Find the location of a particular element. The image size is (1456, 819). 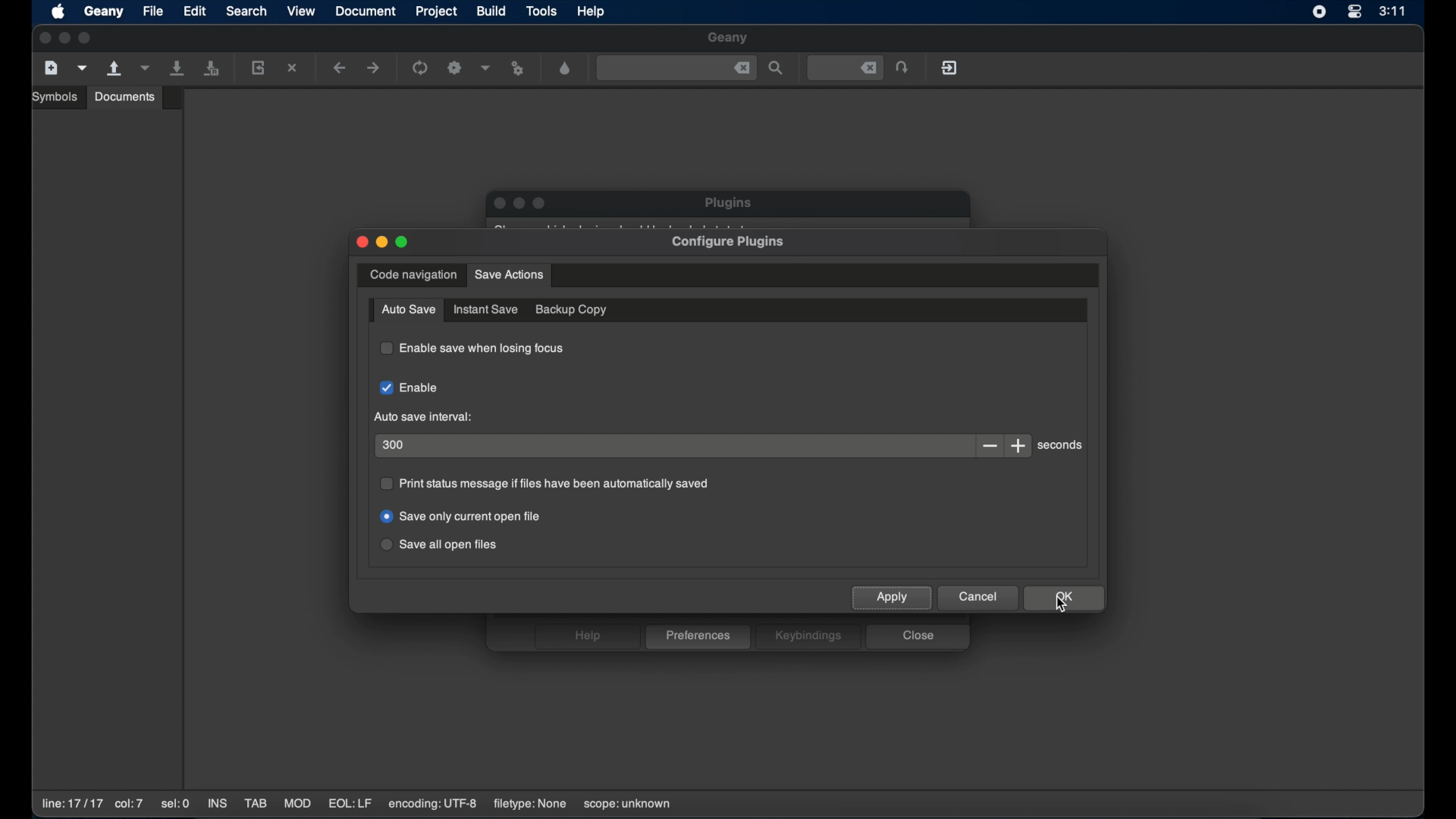

auto save interval: is located at coordinates (425, 417).